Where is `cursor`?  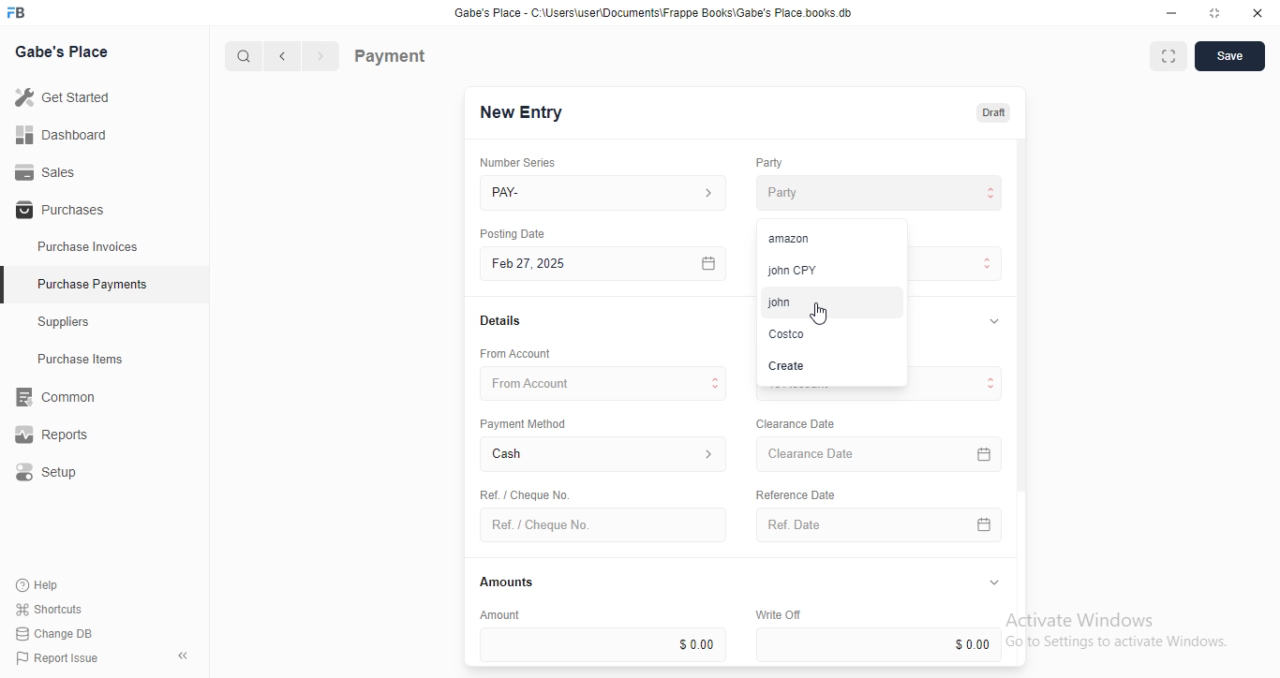
cursor is located at coordinates (821, 311).